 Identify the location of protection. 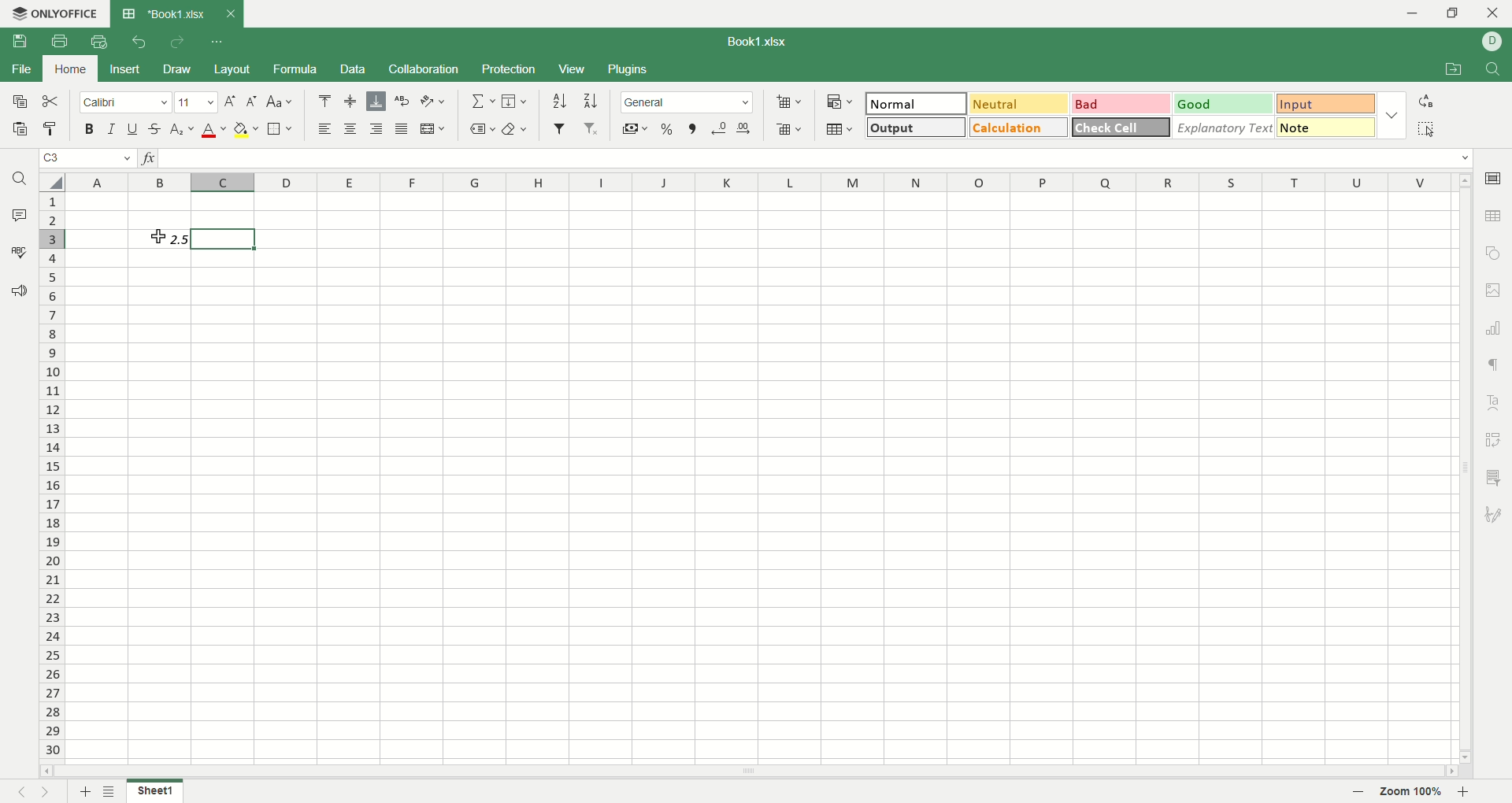
(512, 68).